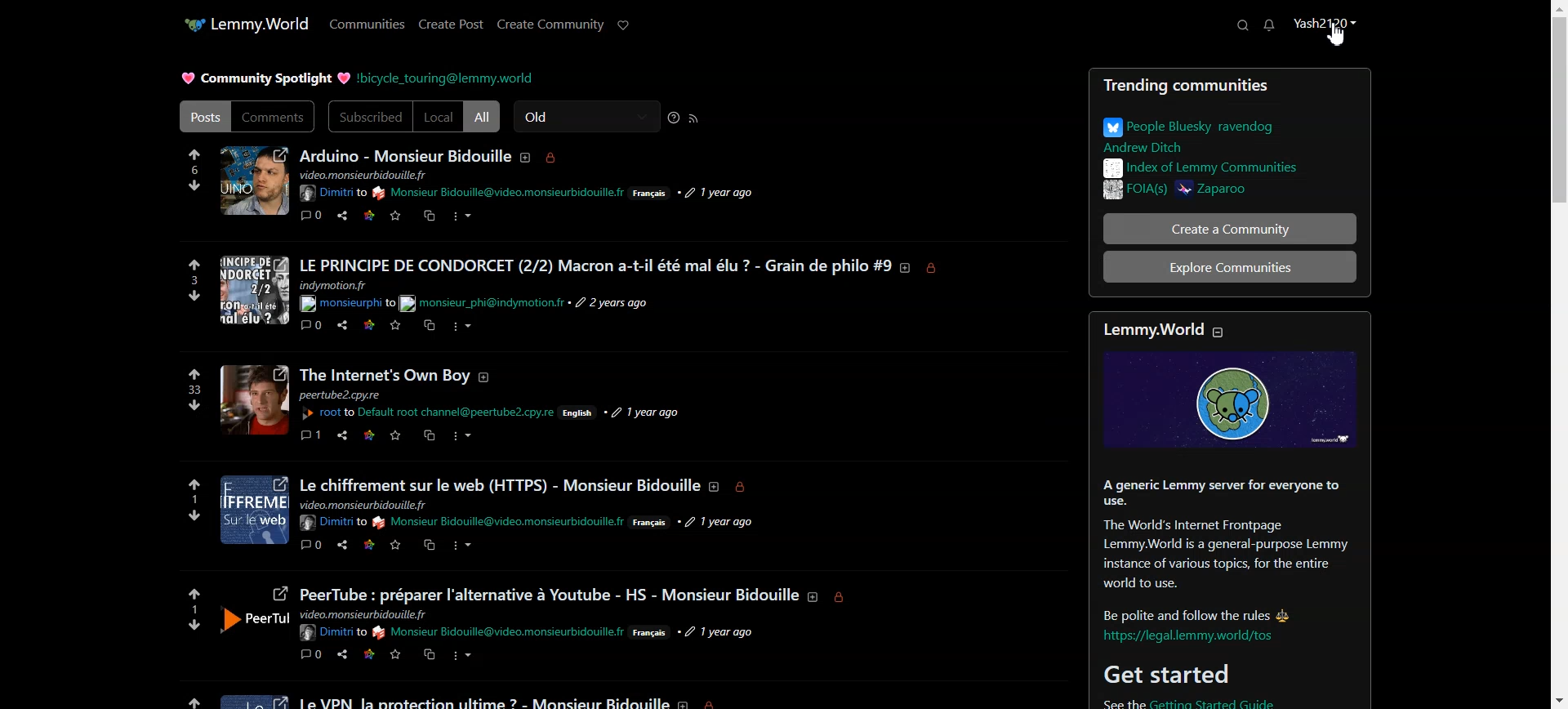 Image resolution: width=1568 pixels, height=709 pixels. I want to click on about, so click(491, 377).